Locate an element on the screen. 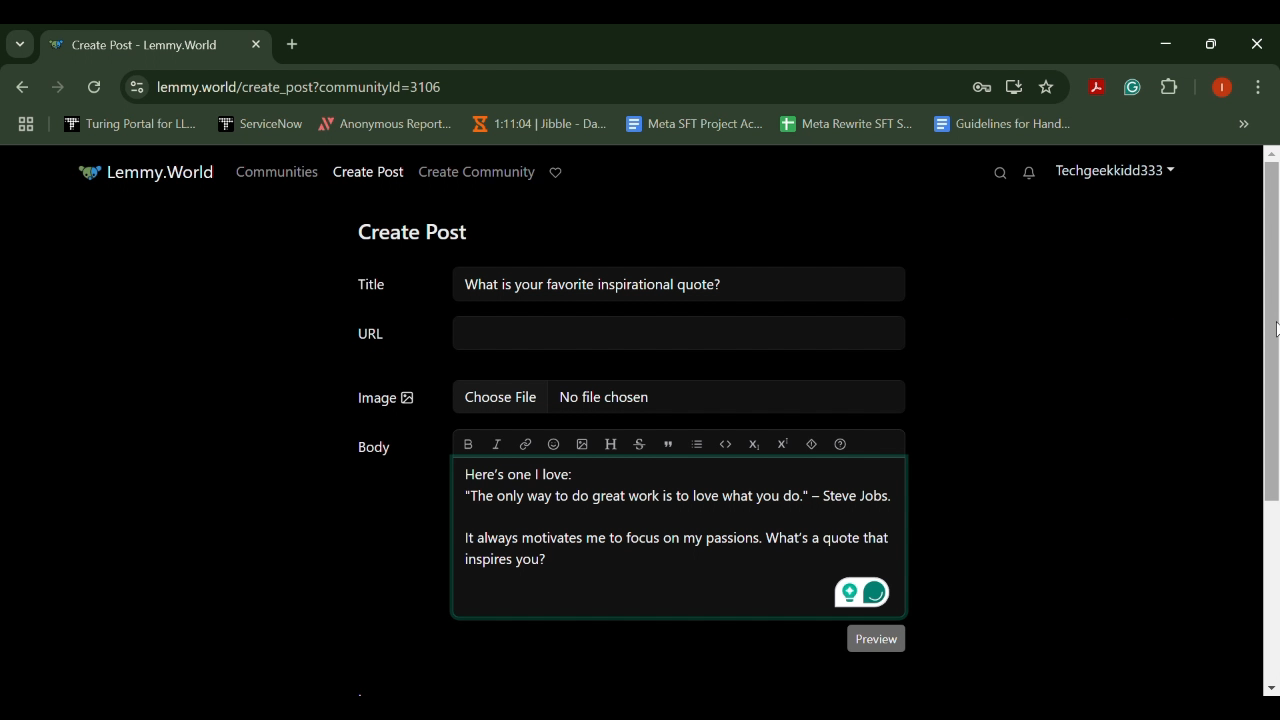 The image size is (1280, 720). Close Tab is located at coordinates (254, 44).